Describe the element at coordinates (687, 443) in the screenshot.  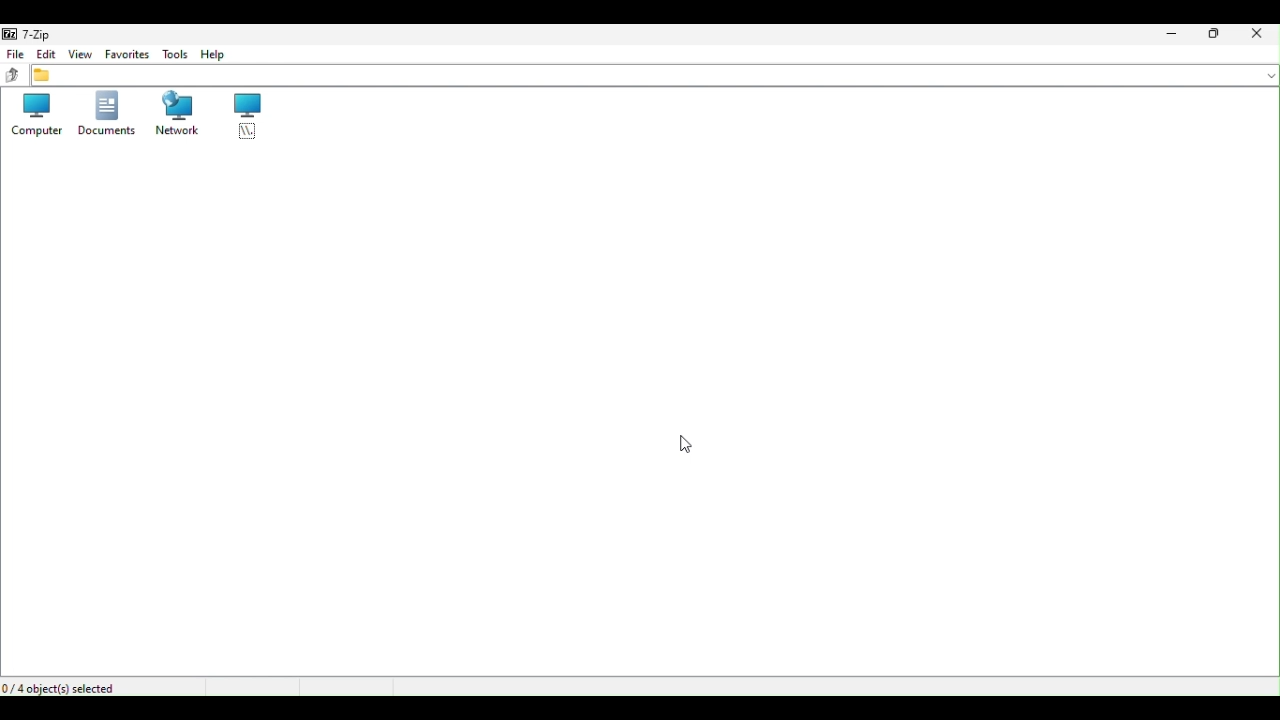
I see `cursor` at that location.